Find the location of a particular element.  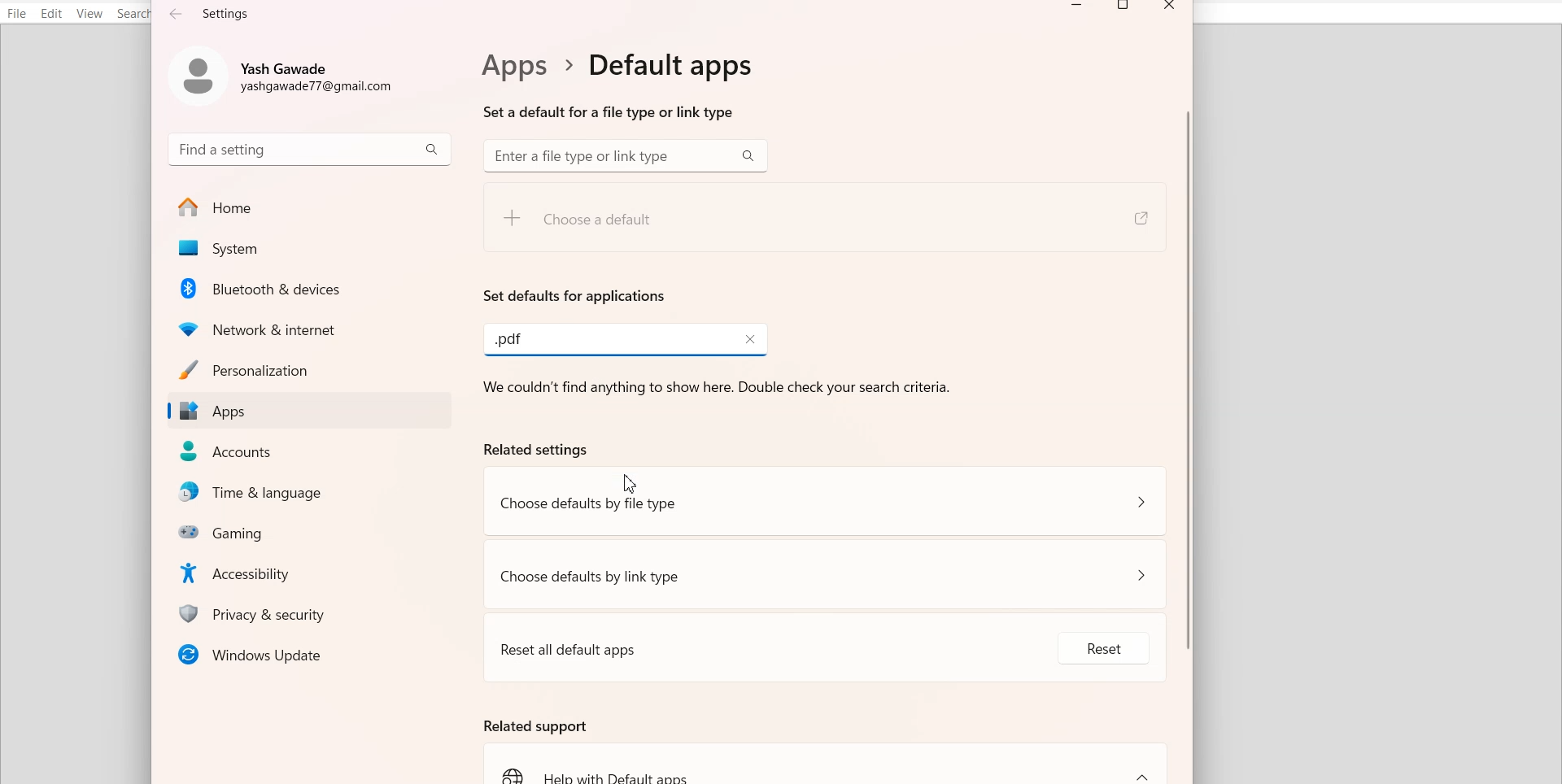

Time & Language is located at coordinates (314, 493).